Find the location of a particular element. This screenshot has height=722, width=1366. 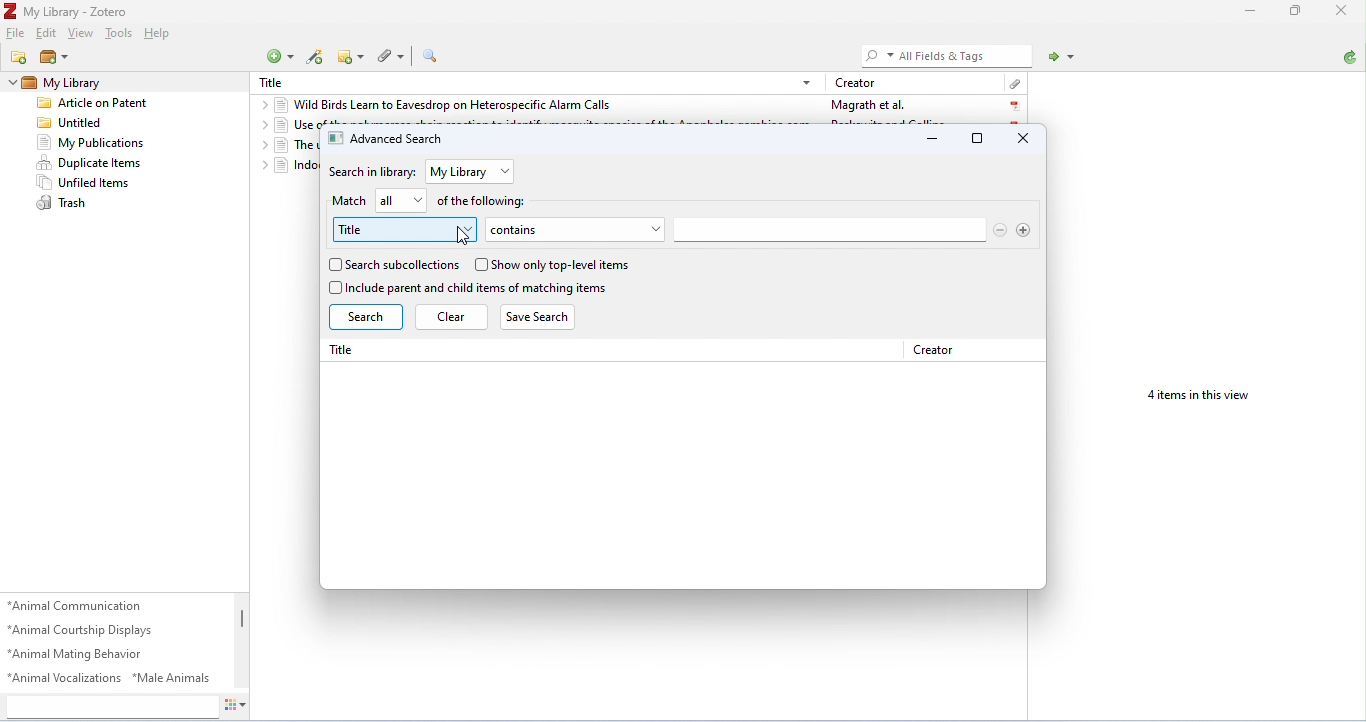

minimize is located at coordinates (935, 139).